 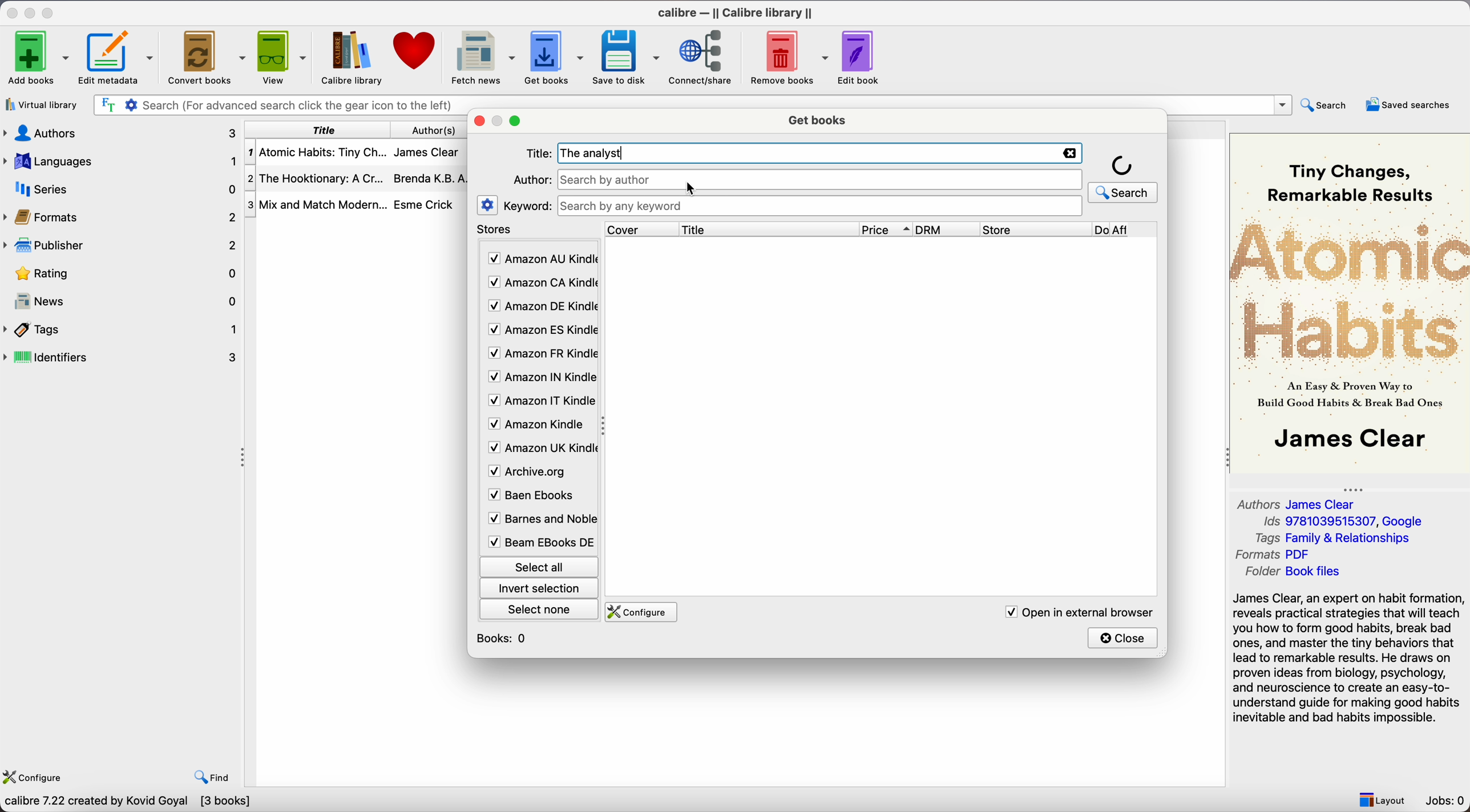 What do you see at coordinates (487, 205) in the screenshot?
I see `settings` at bounding box center [487, 205].